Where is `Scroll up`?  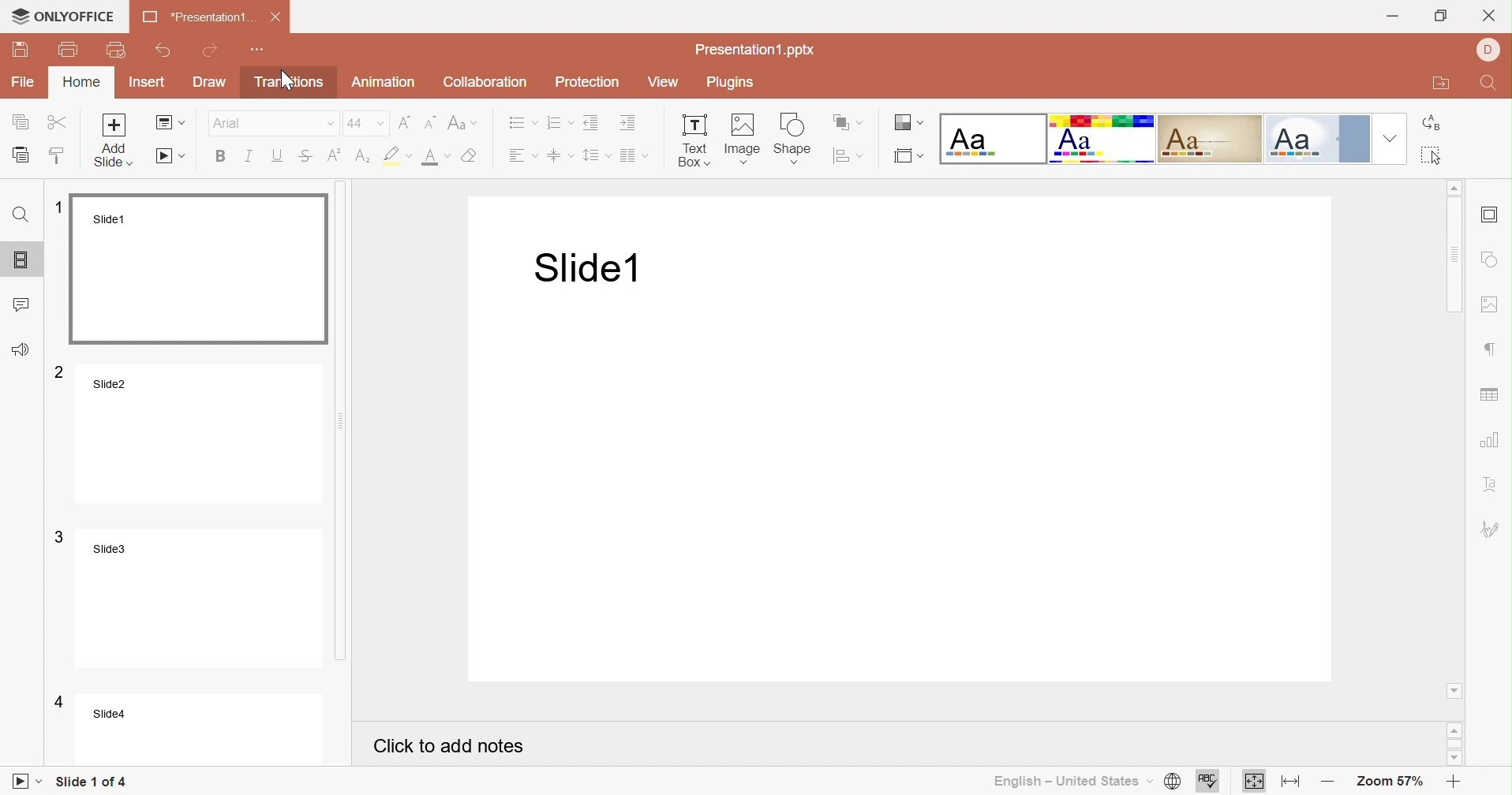 Scroll up is located at coordinates (1458, 188).